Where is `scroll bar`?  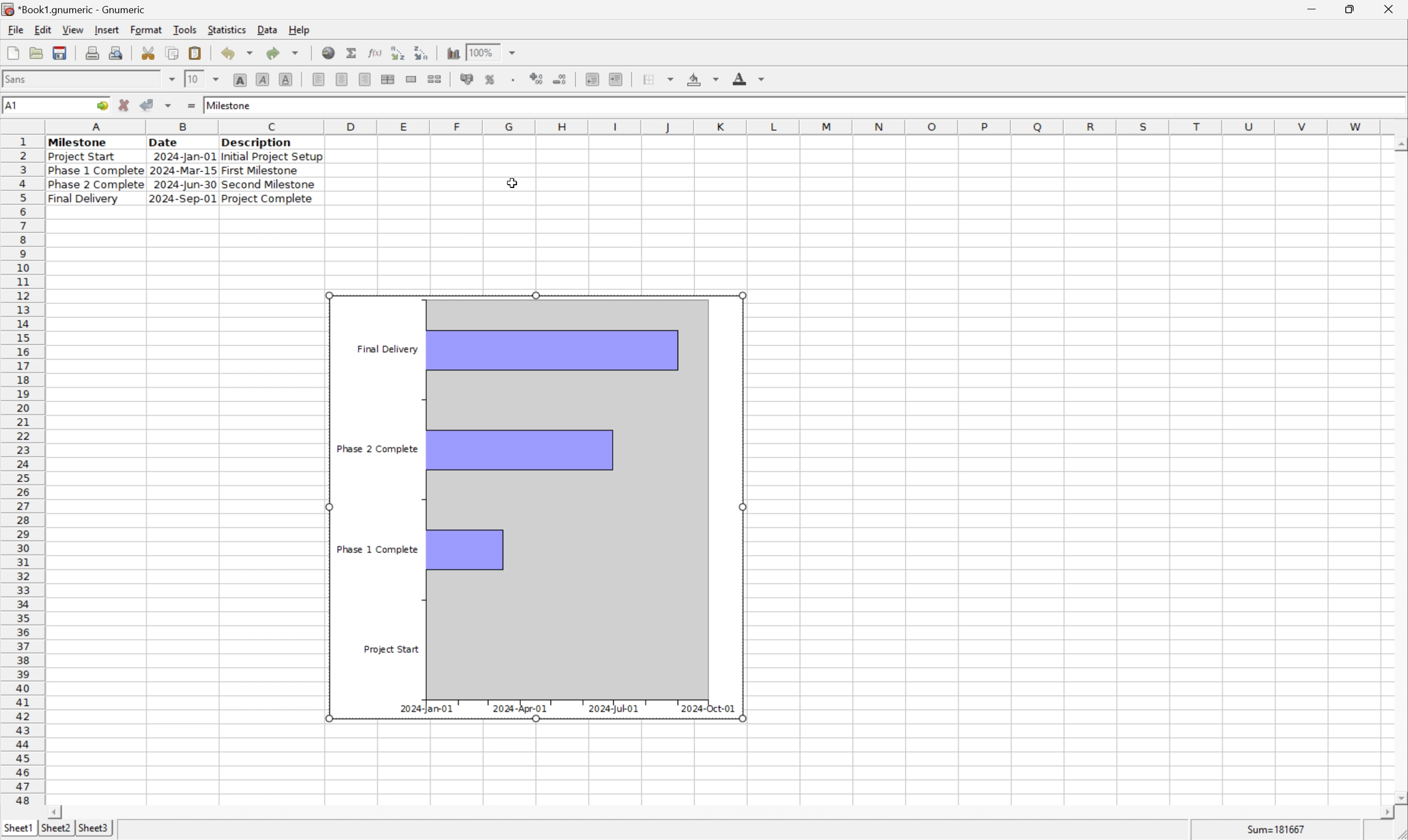
scroll bar is located at coordinates (720, 812).